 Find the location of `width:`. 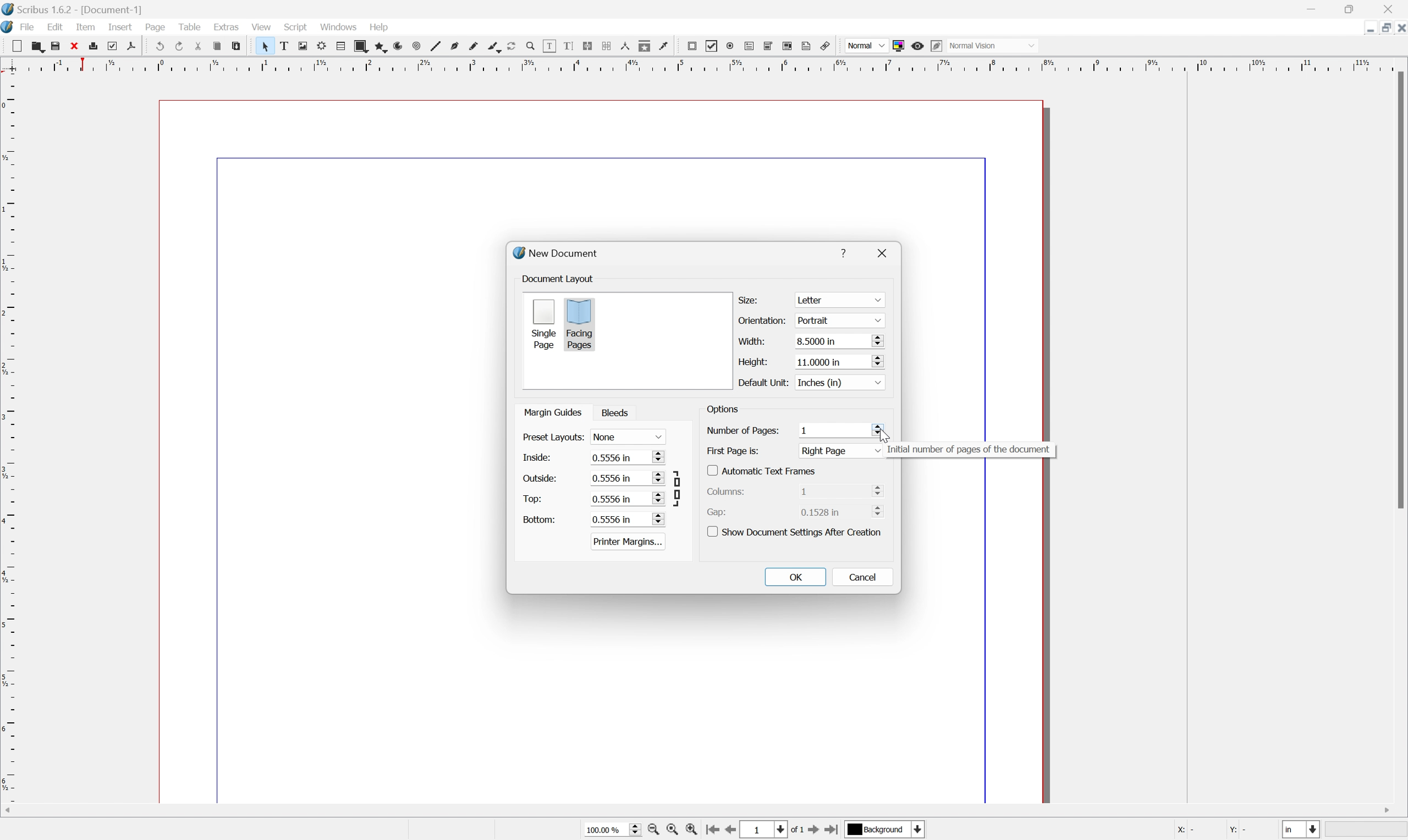

width: is located at coordinates (750, 340).